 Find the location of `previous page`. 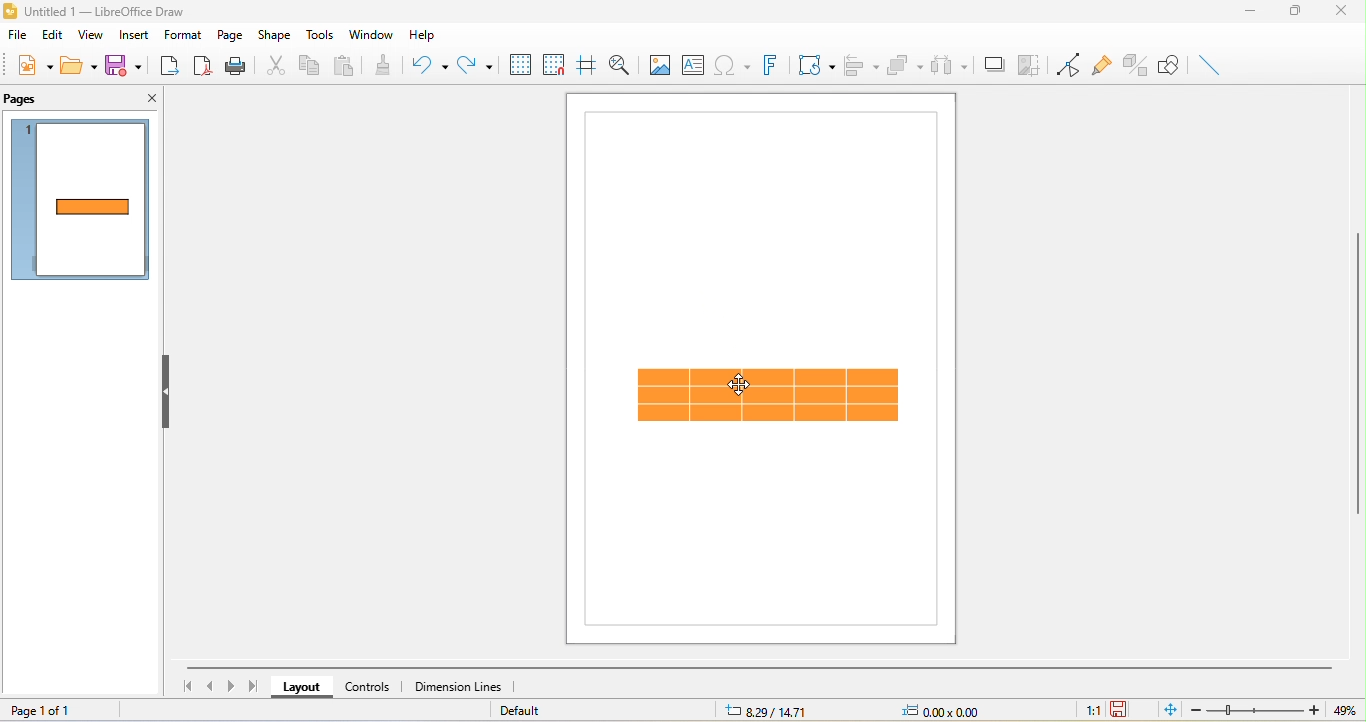

previous page is located at coordinates (212, 688).